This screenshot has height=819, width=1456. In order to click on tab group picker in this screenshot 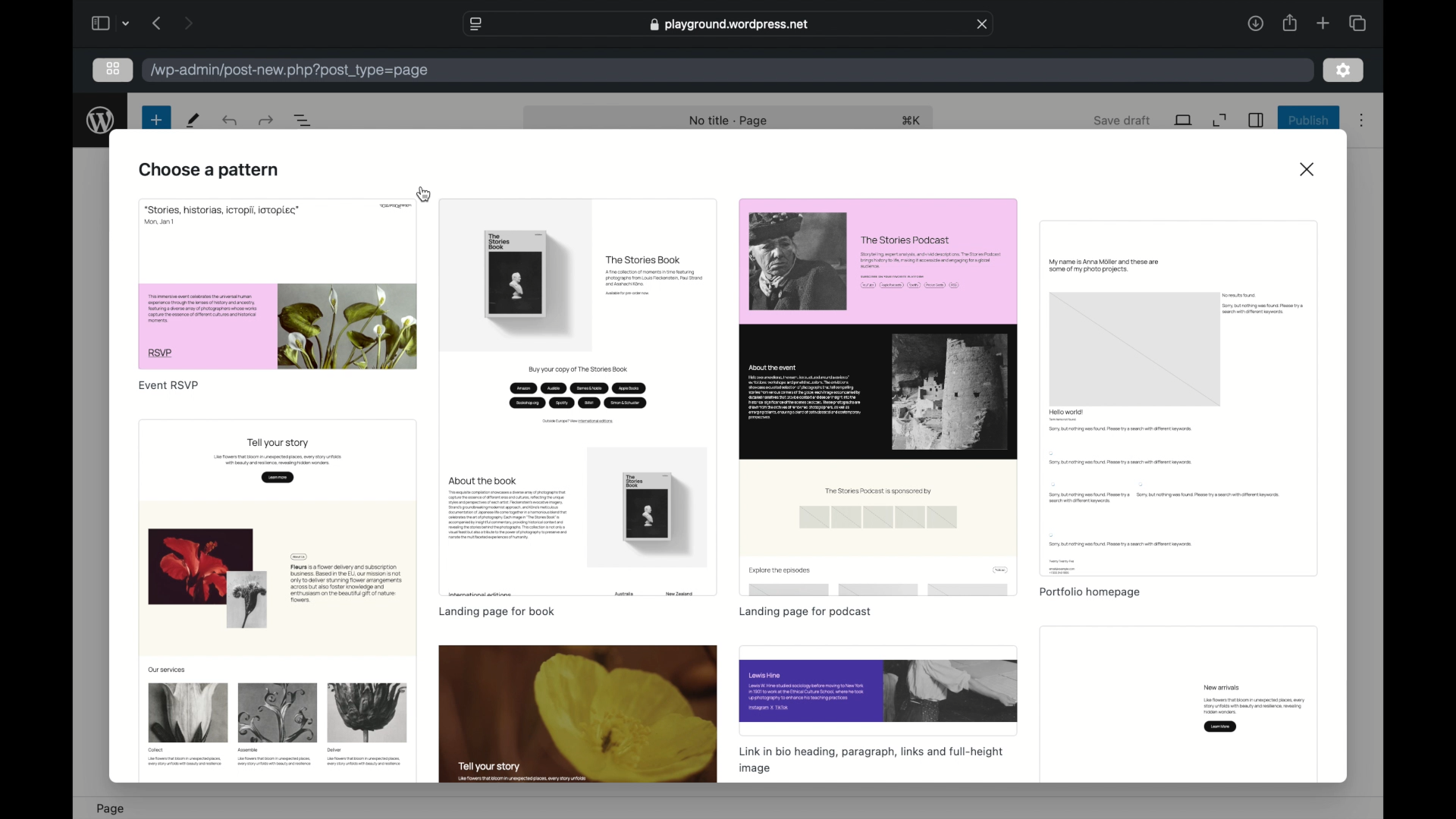, I will do `click(127, 23)`.